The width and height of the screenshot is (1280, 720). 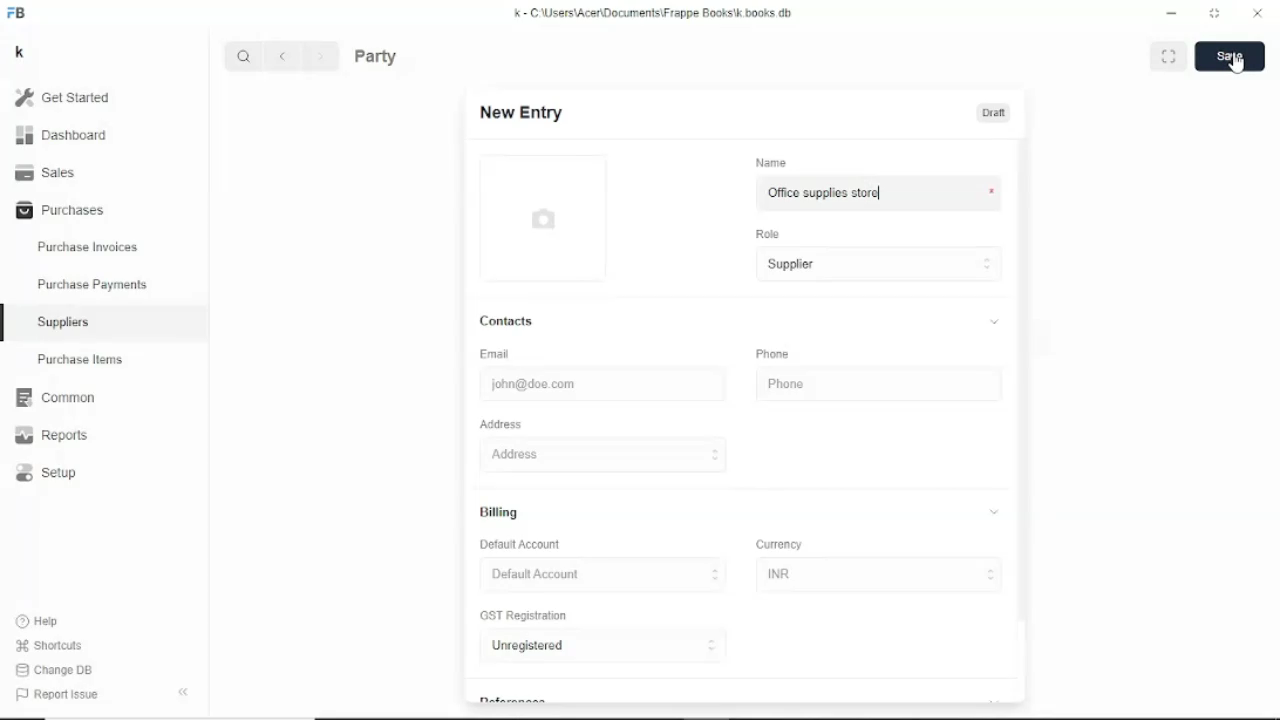 What do you see at coordinates (738, 454) in the screenshot?
I see `Address` at bounding box center [738, 454].